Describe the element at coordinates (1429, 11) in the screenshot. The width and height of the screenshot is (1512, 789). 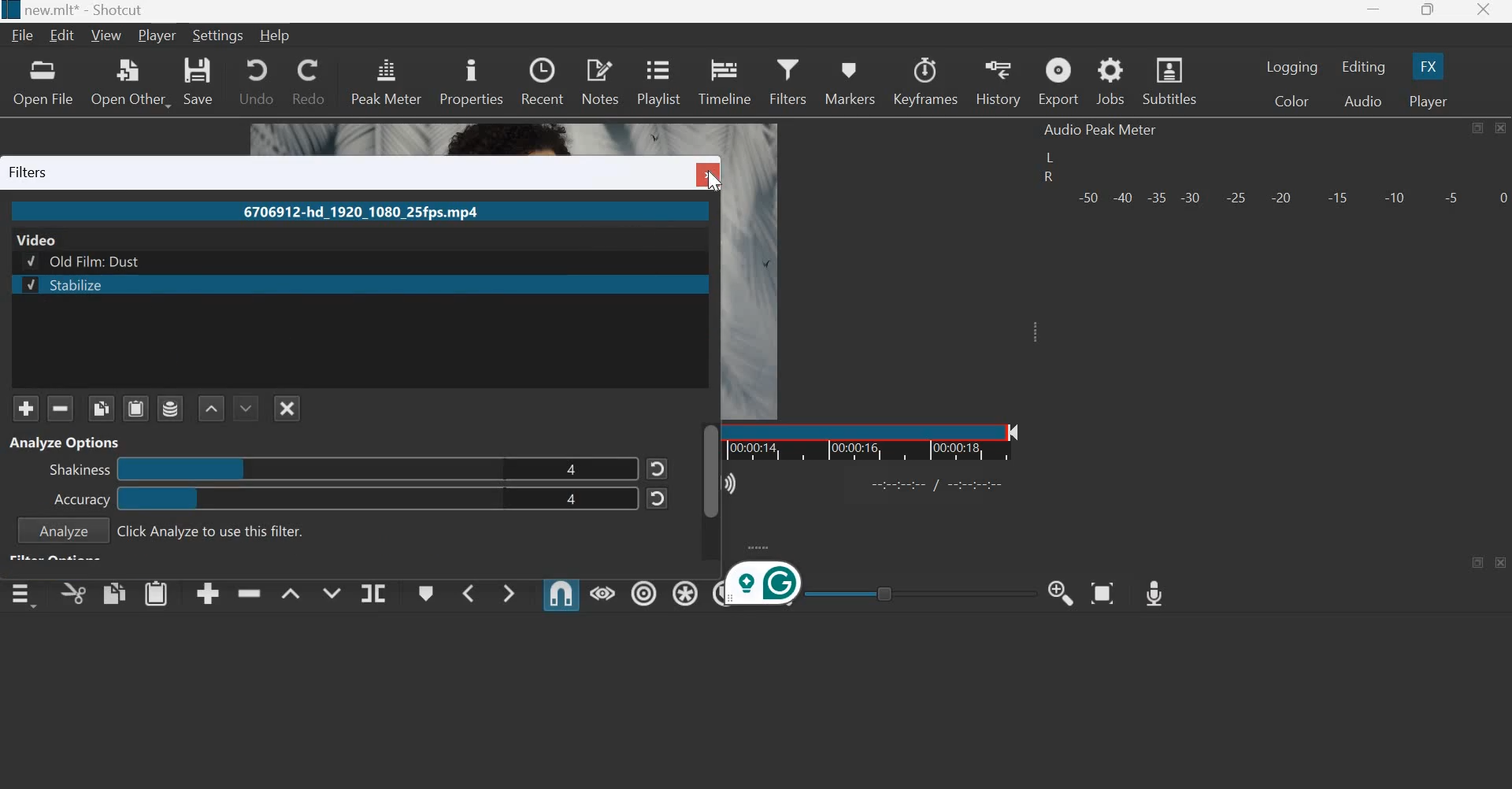
I see `Maximize` at that location.